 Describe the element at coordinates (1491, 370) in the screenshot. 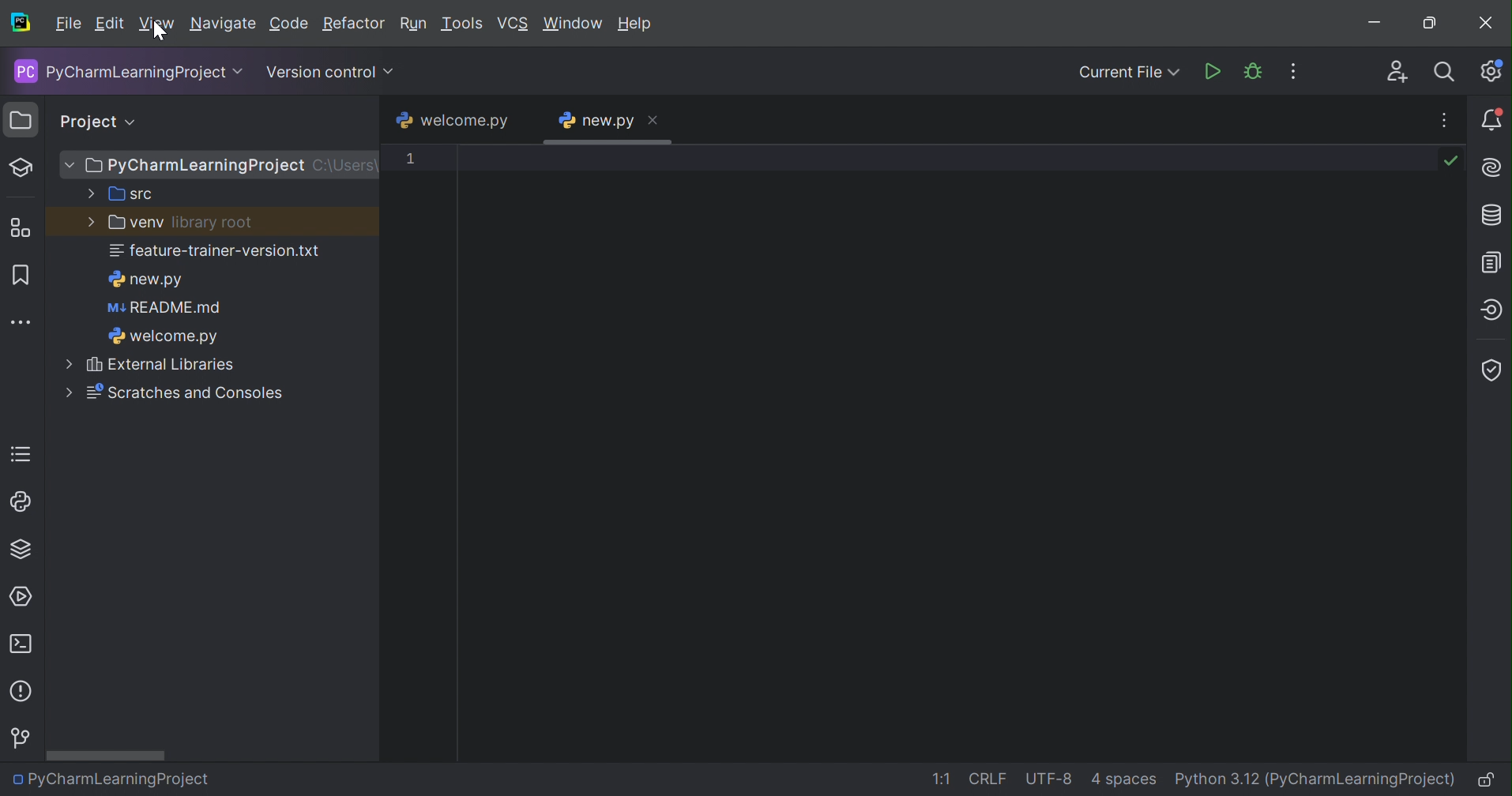

I see `Coverage` at that location.